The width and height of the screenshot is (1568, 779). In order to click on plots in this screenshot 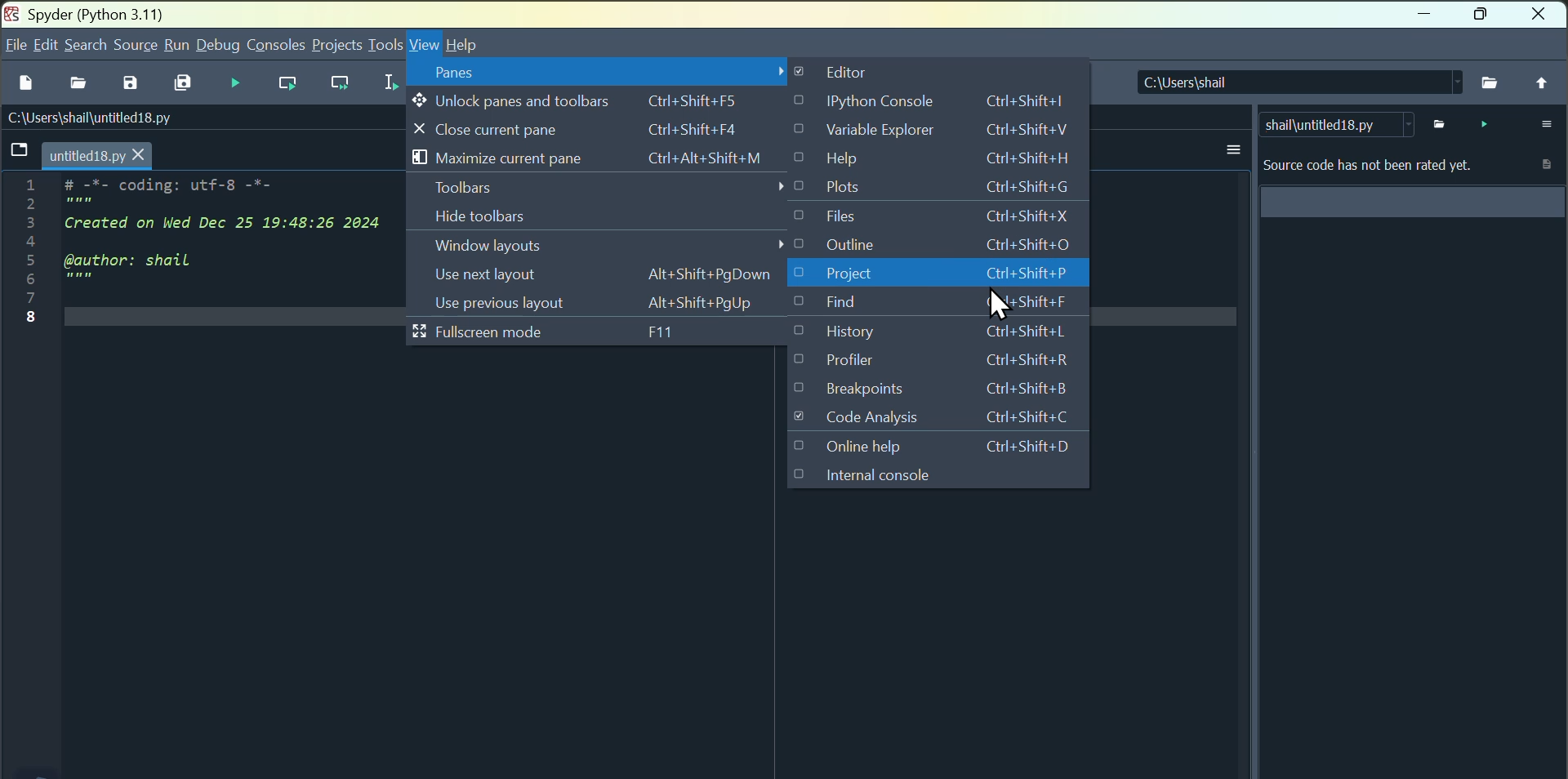, I will do `click(934, 185)`.